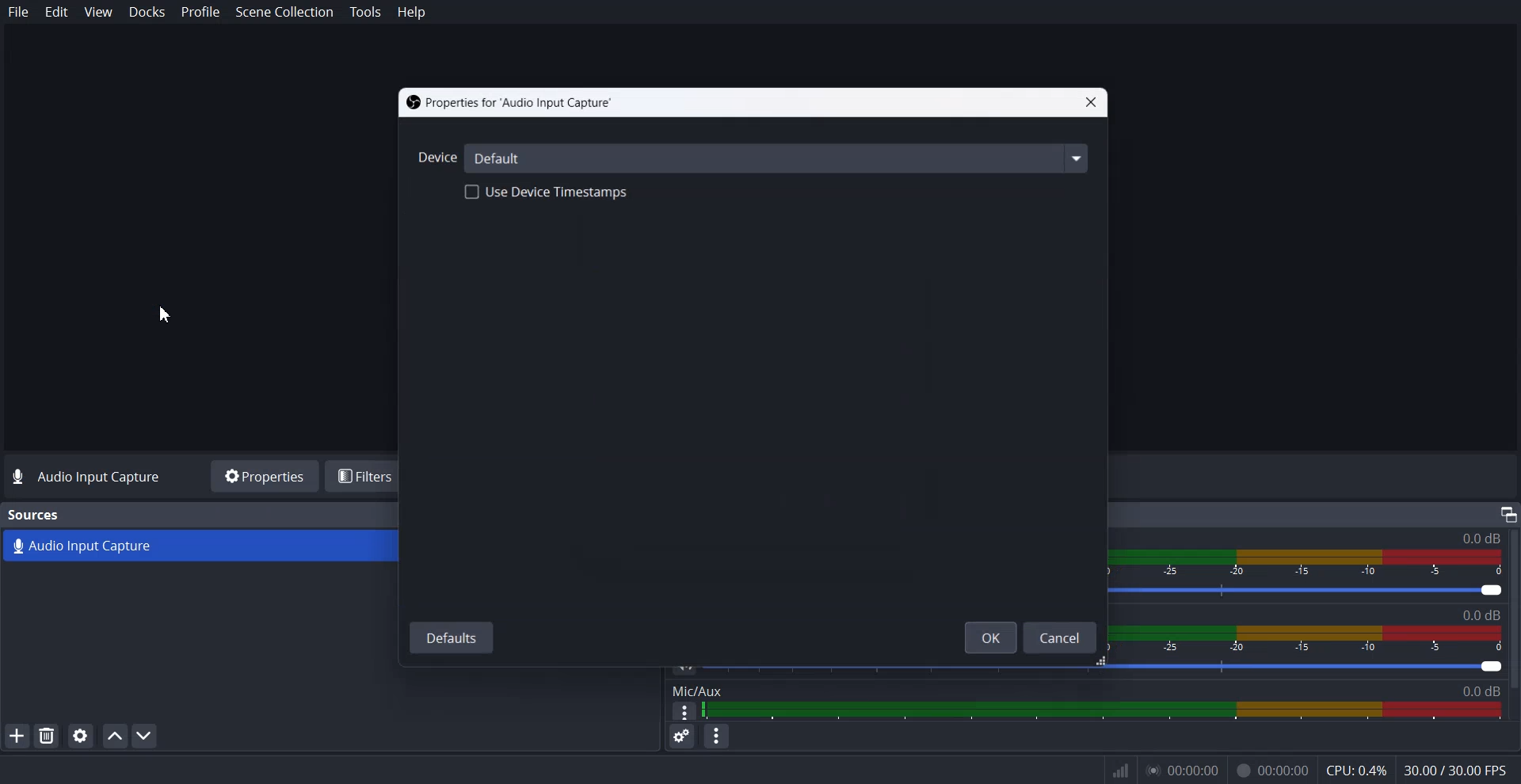  Describe the element at coordinates (1307, 639) in the screenshot. I see `Volume Indicator` at that location.